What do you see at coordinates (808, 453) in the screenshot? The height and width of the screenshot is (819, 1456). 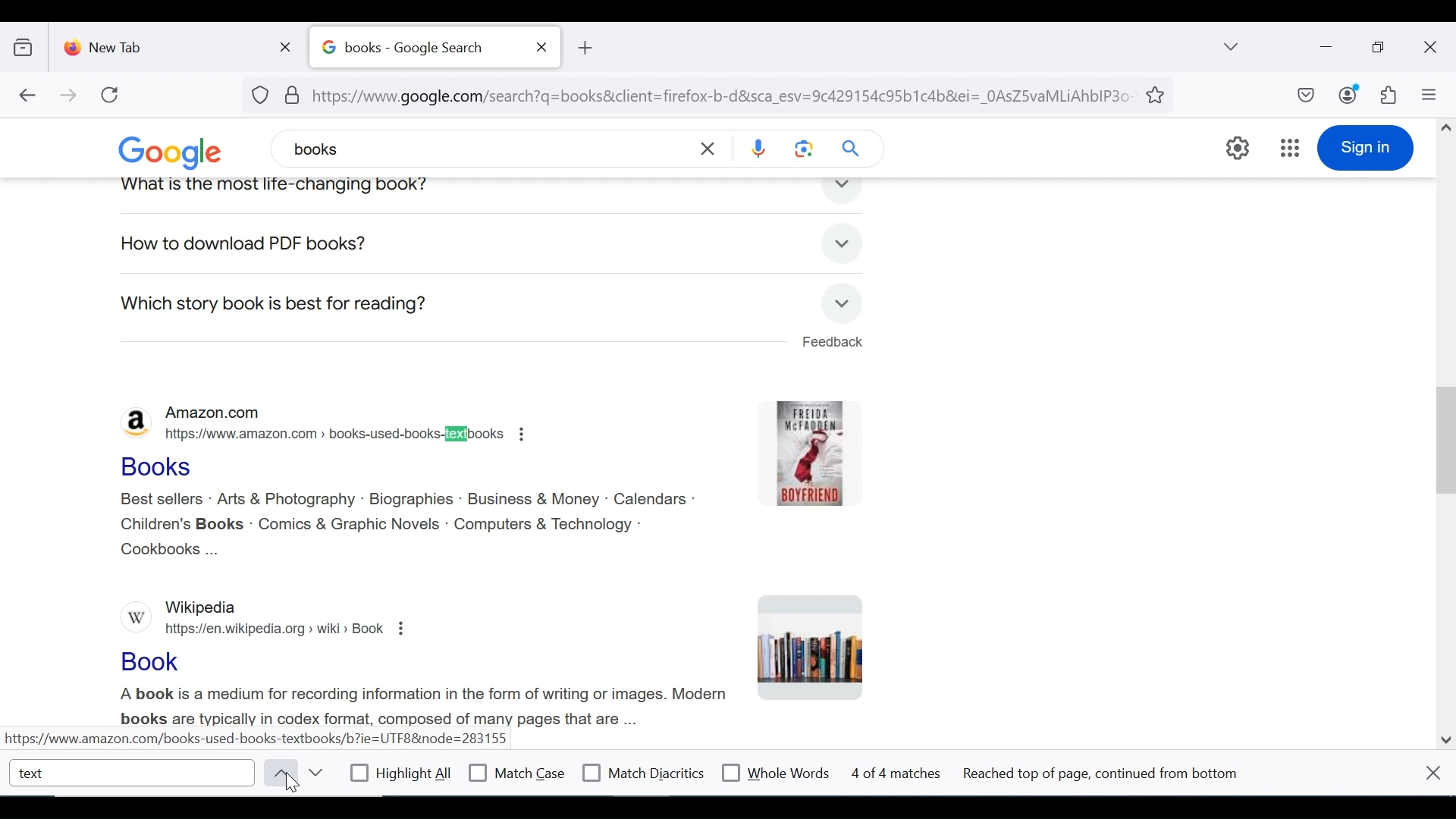 I see `preview` at bounding box center [808, 453].